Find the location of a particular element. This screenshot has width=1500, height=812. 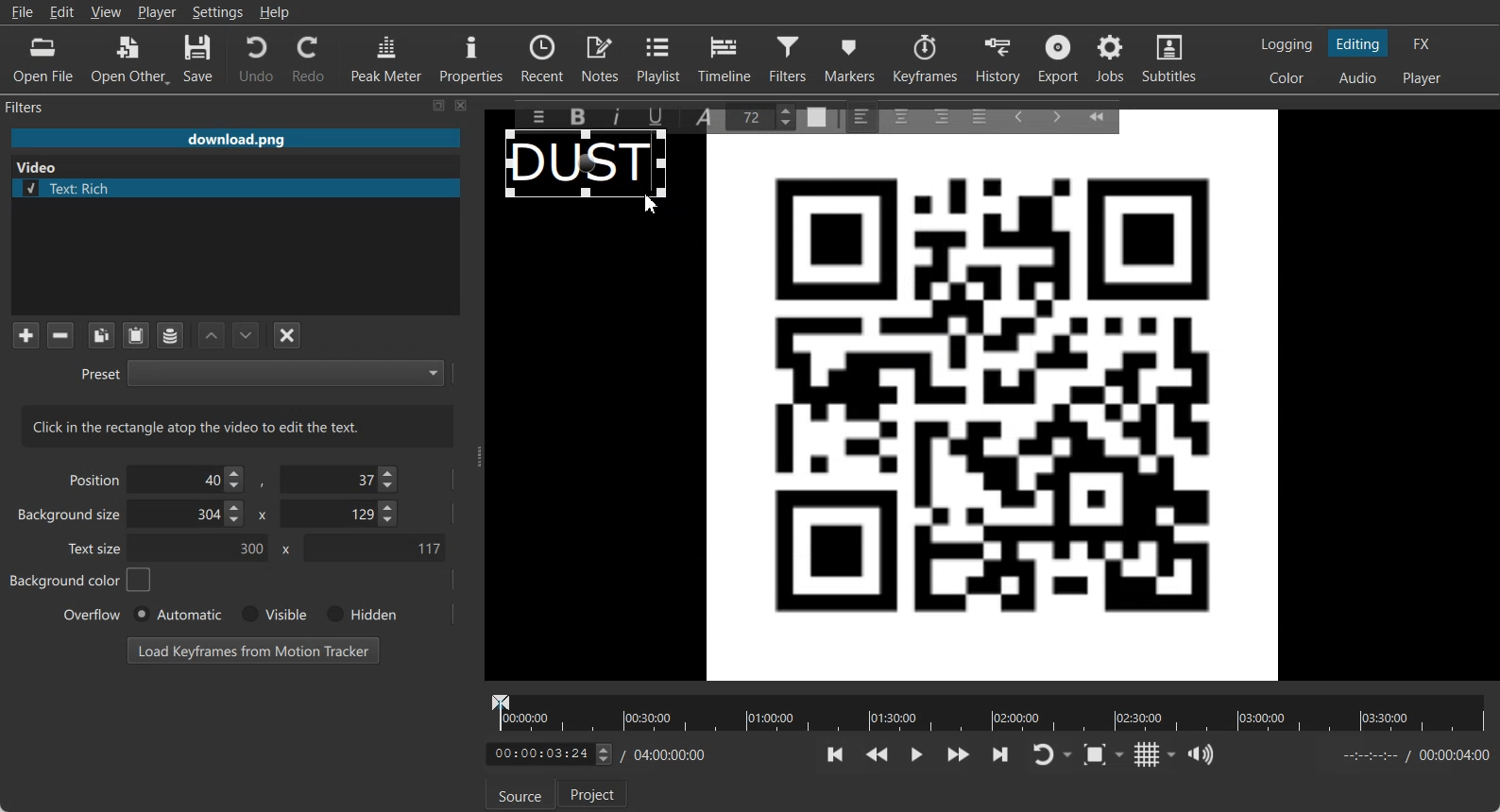

Toggle player lopping is located at coordinates (1040, 755).